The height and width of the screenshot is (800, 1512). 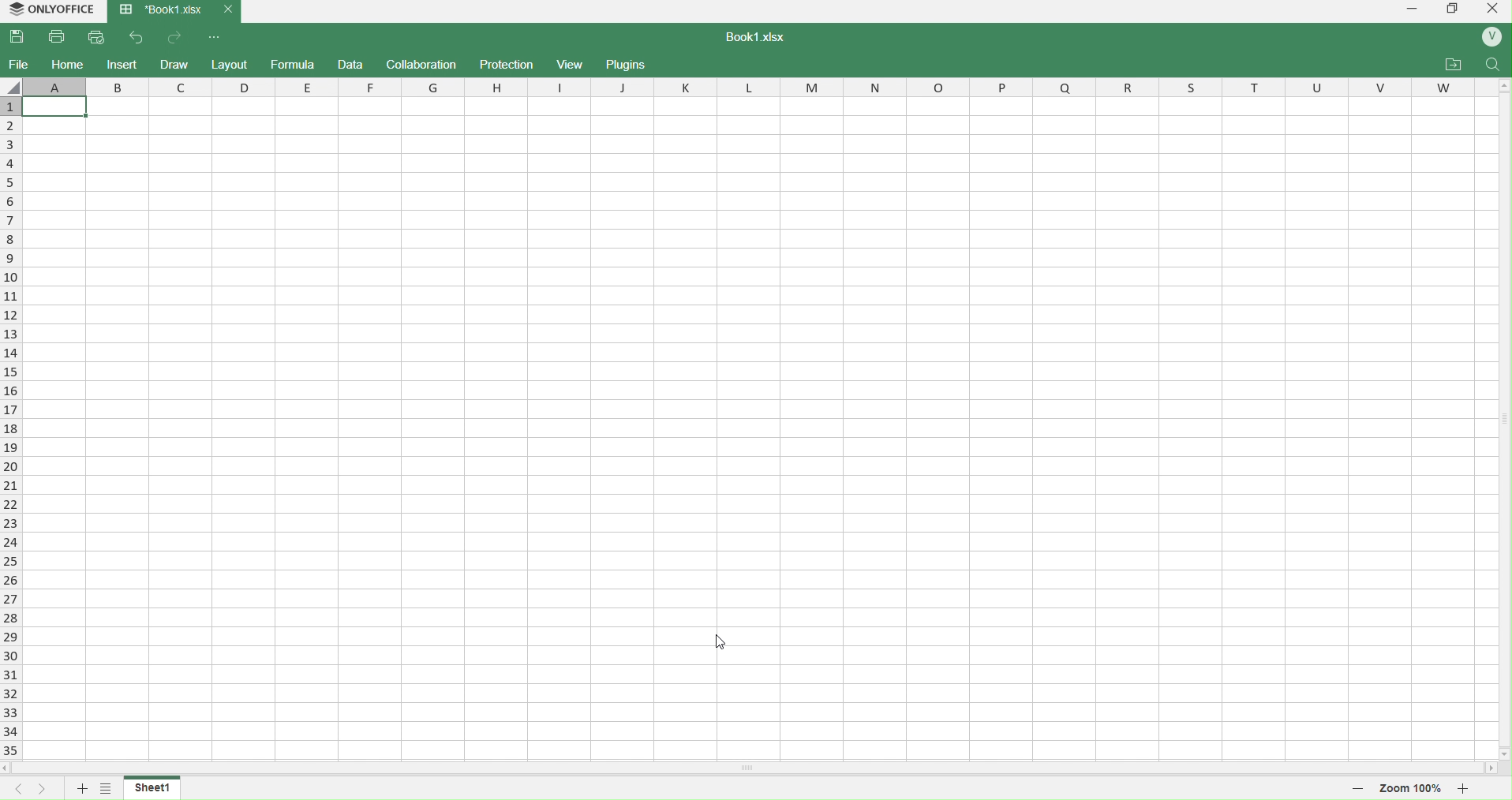 I want to click on previous sheet, so click(x=13, y=789).